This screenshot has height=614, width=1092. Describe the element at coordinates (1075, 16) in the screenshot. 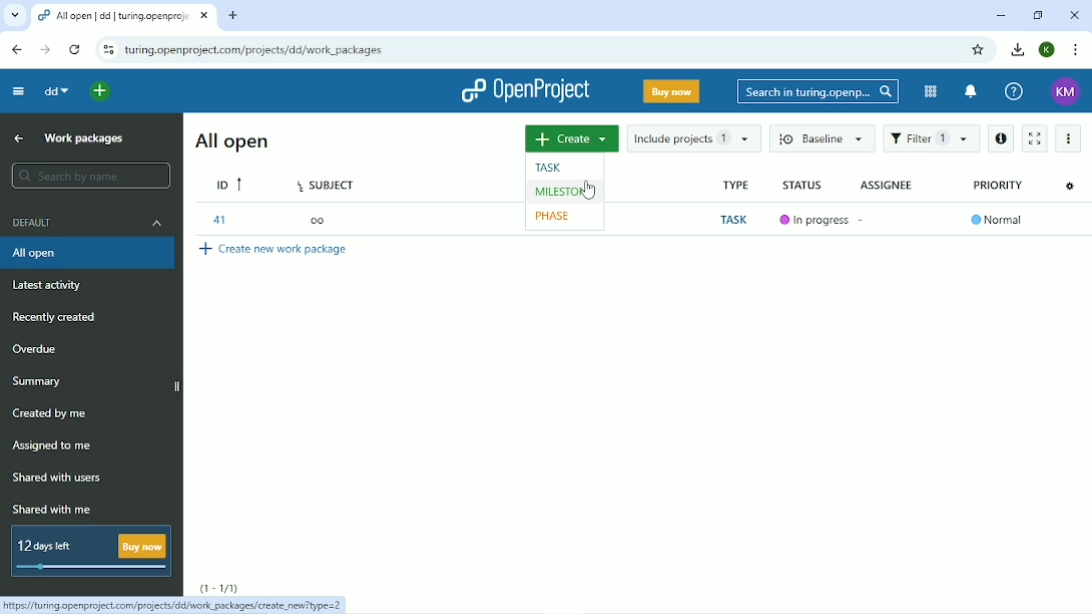

I see `Close` at that location.